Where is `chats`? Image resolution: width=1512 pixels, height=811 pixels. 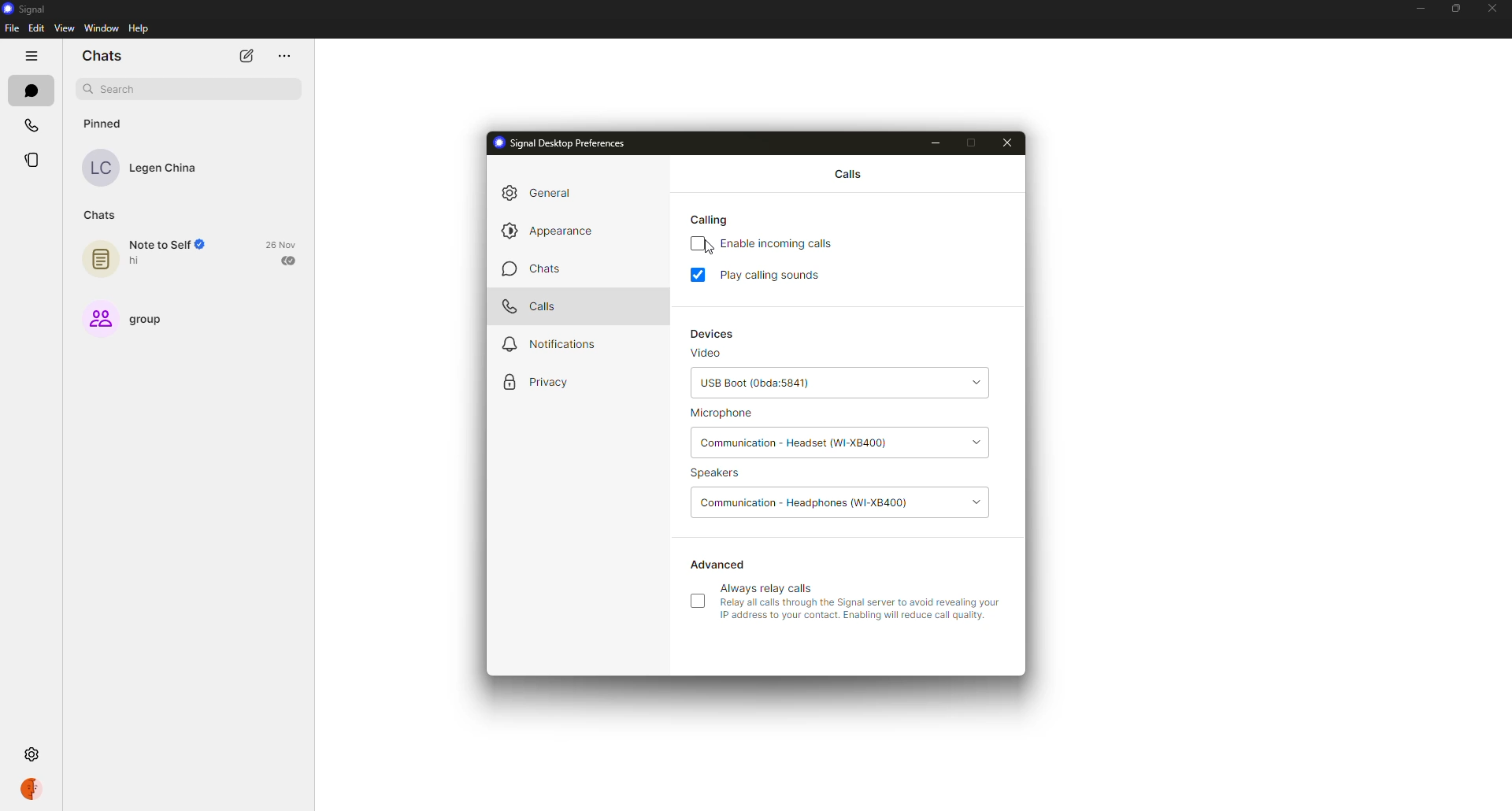 chats is located at coordinates (31, 90).